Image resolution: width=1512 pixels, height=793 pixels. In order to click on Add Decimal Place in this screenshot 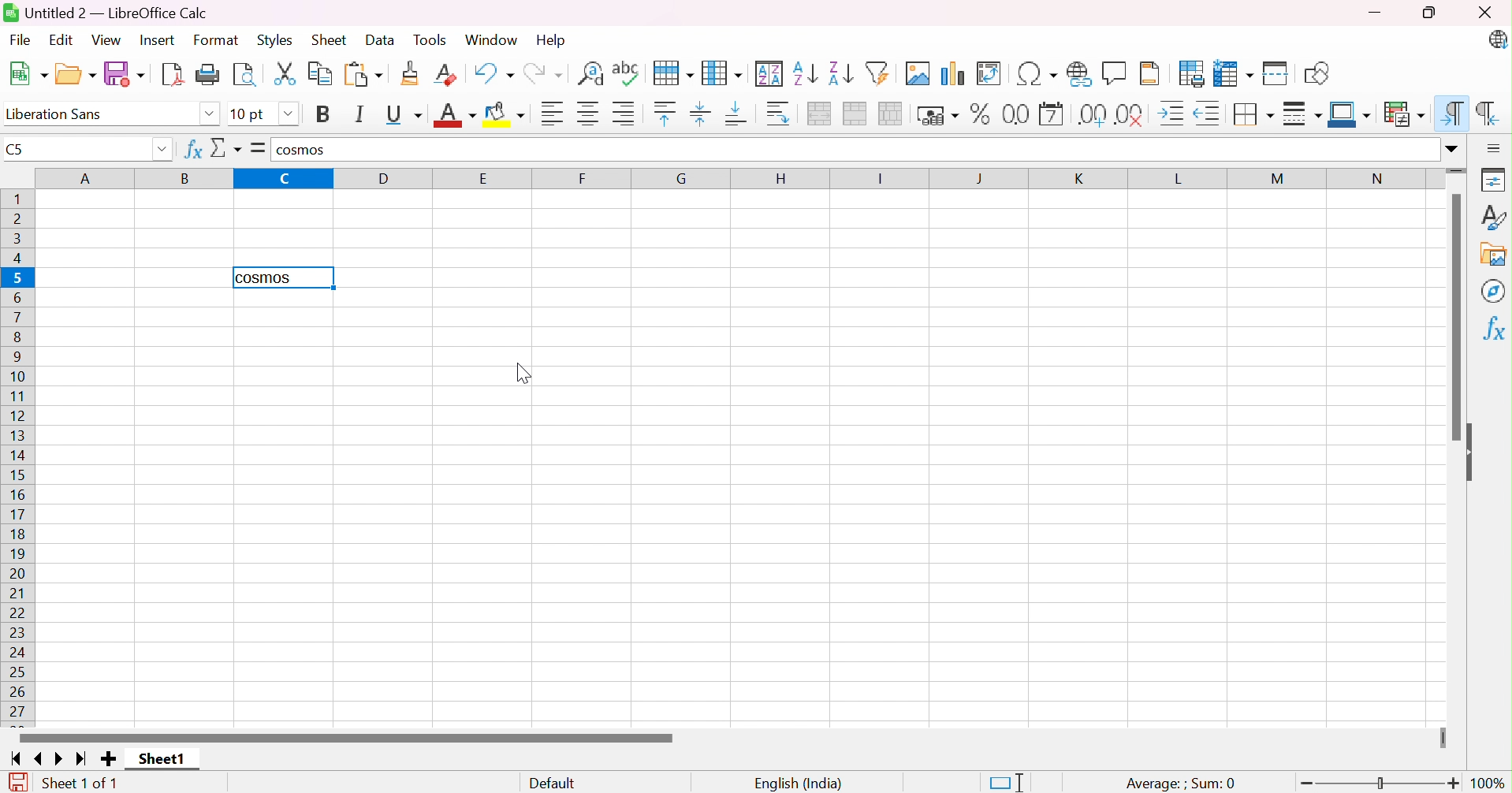, I will do `click(1094, 114)`.